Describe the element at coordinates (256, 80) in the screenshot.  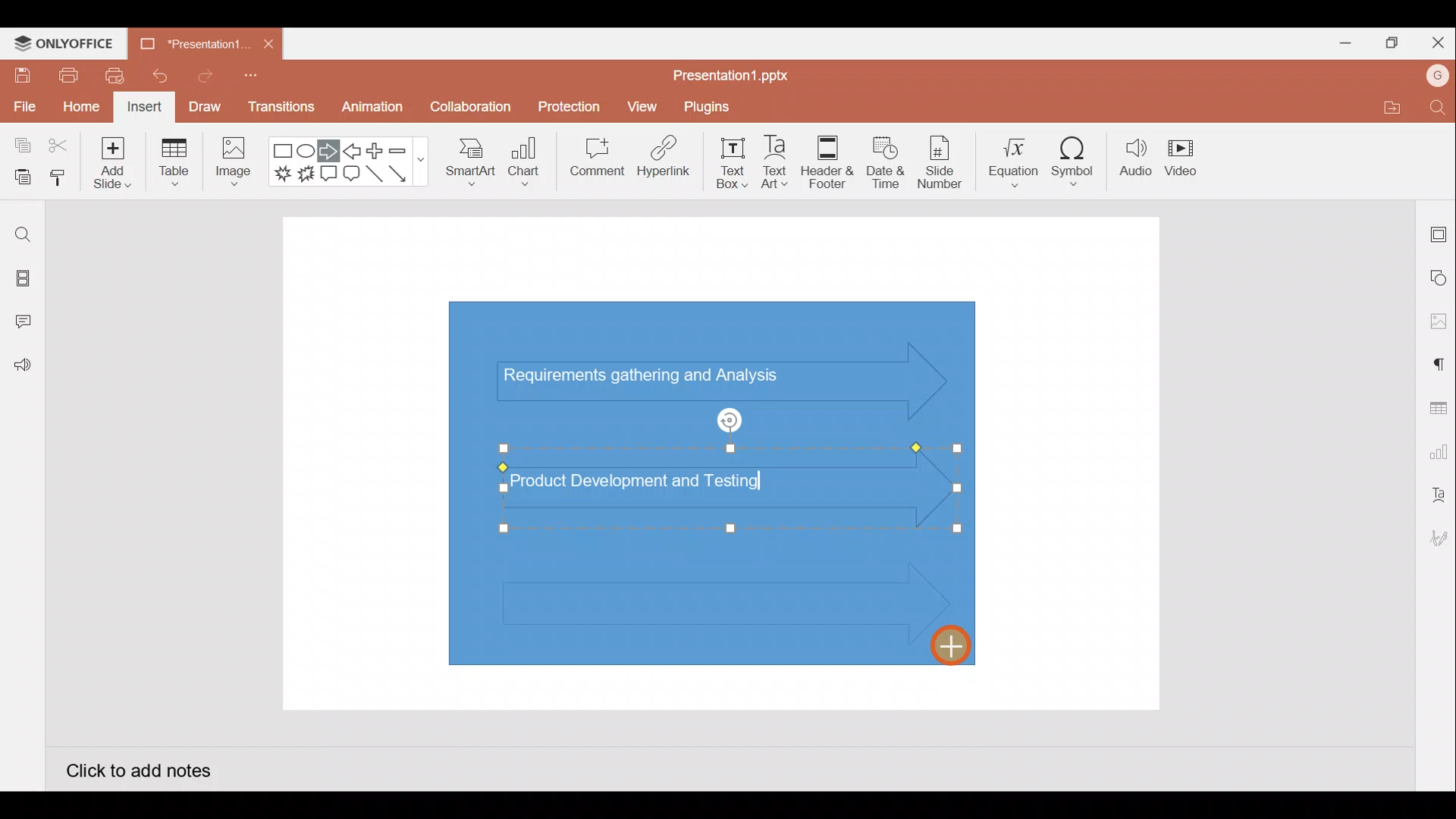
I see `Customize quick access toolbar` at that location.